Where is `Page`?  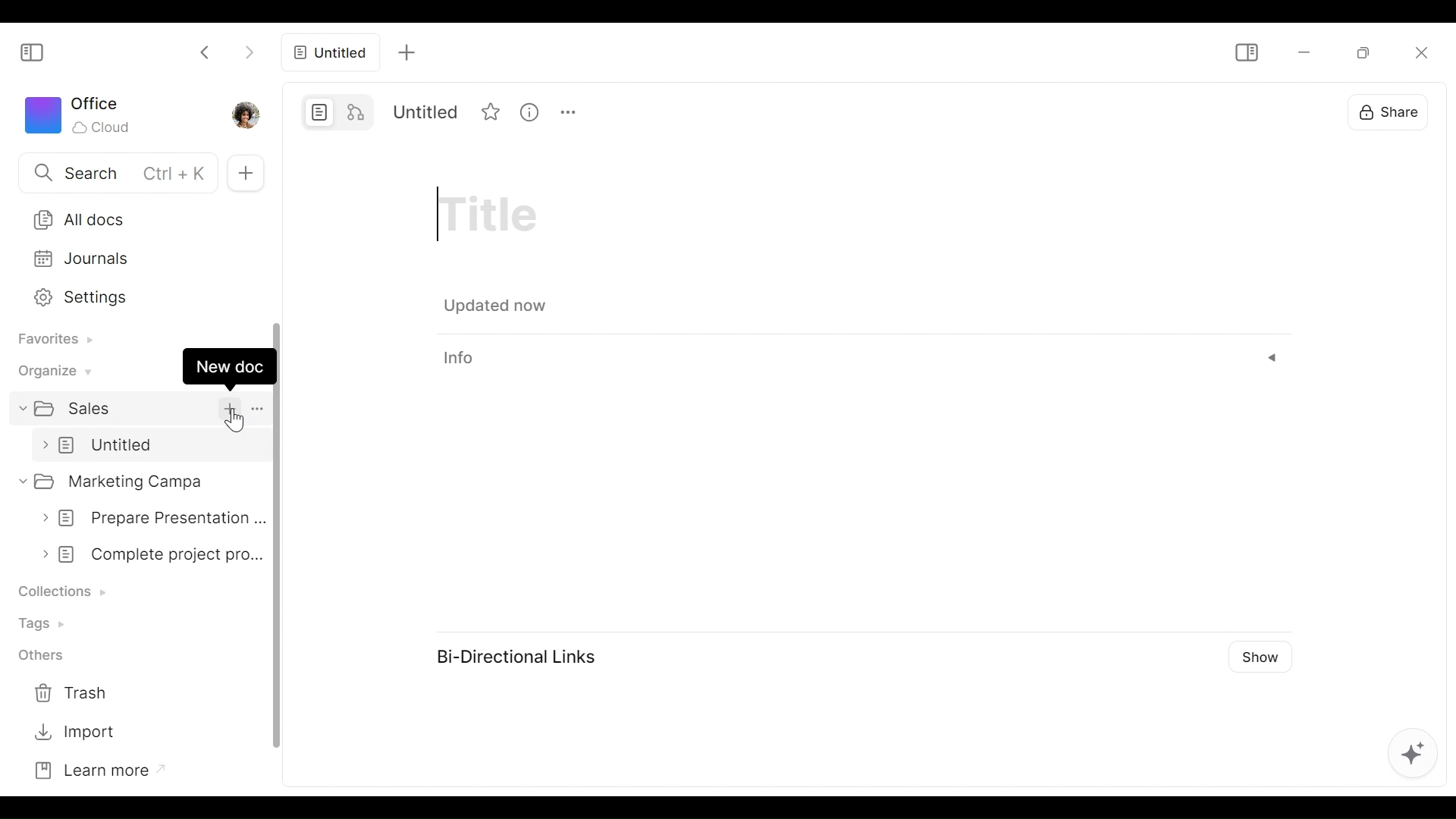
Page is located at coordinates (322, 113).